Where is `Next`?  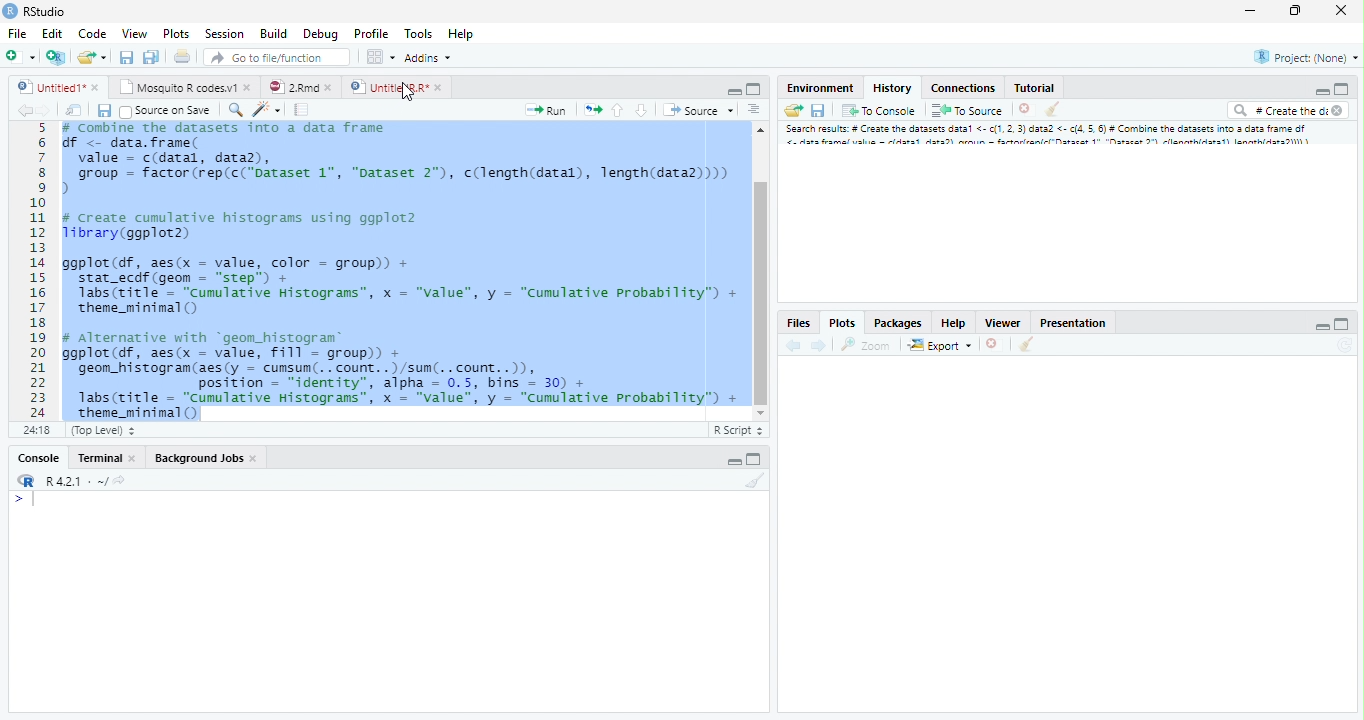 Next is located at coordinates (43, 114).